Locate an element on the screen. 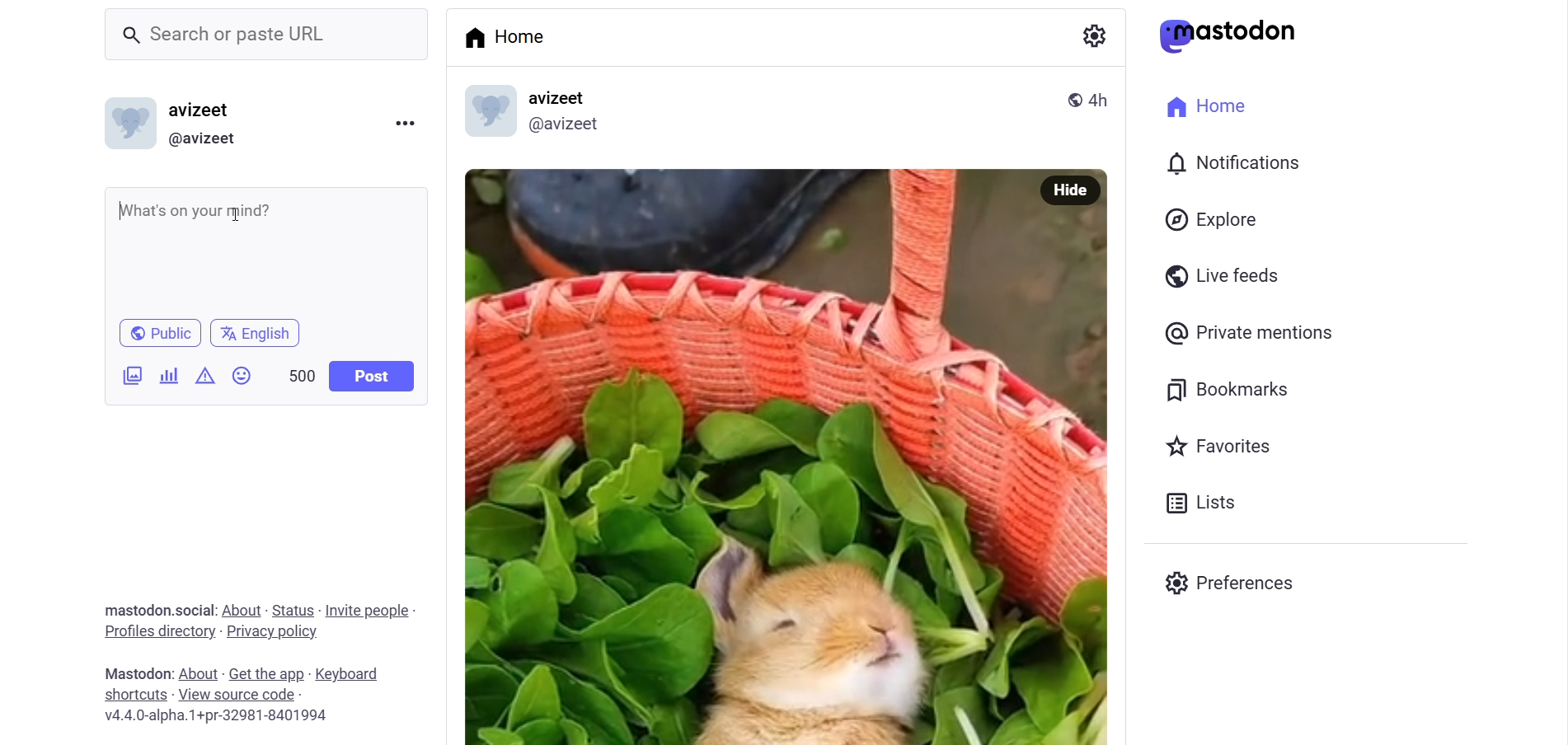 The image size is (1568, 745). english is located at coordinates (256, 332).